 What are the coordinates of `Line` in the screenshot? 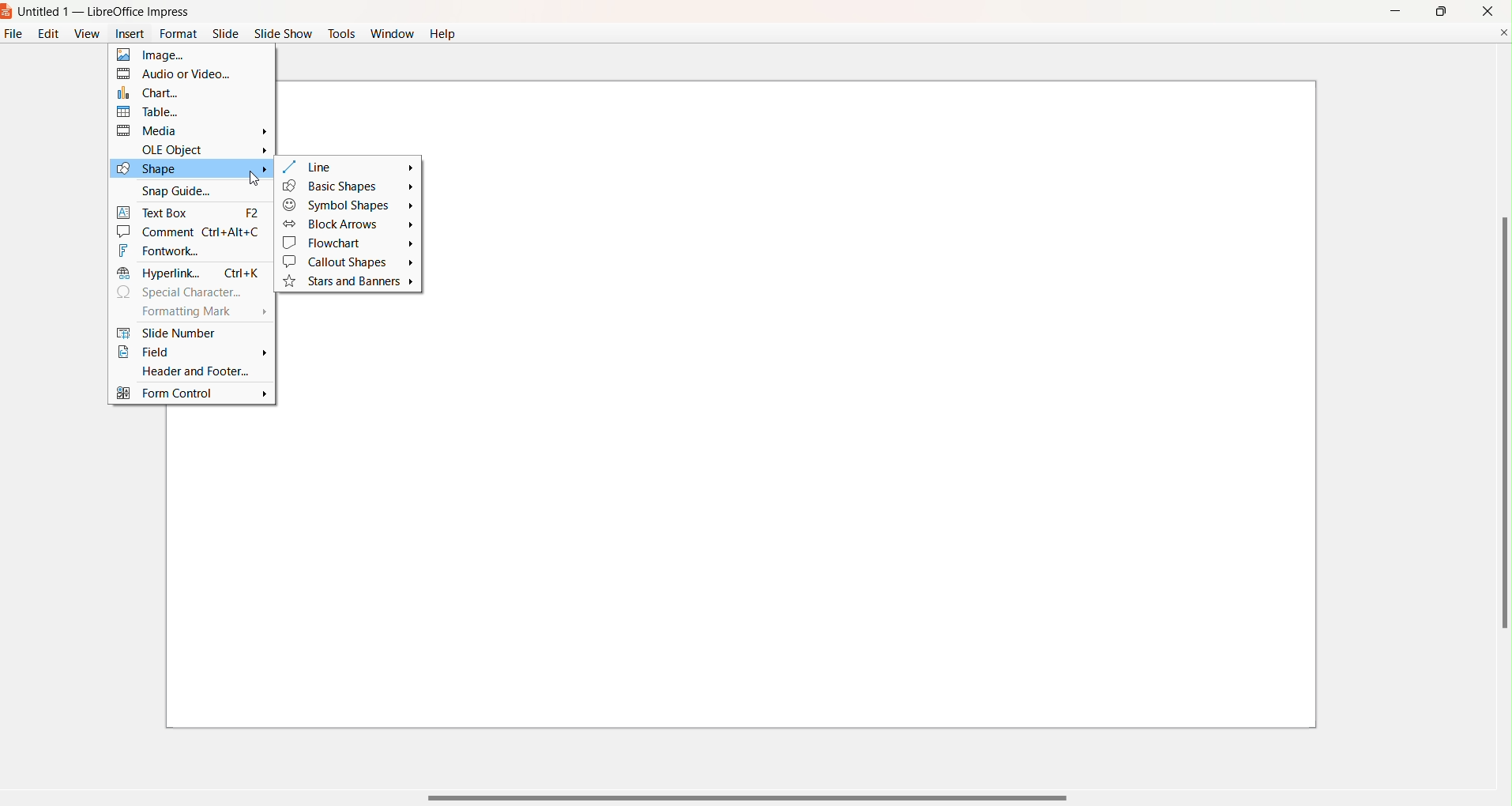 It's located at (348, 167).